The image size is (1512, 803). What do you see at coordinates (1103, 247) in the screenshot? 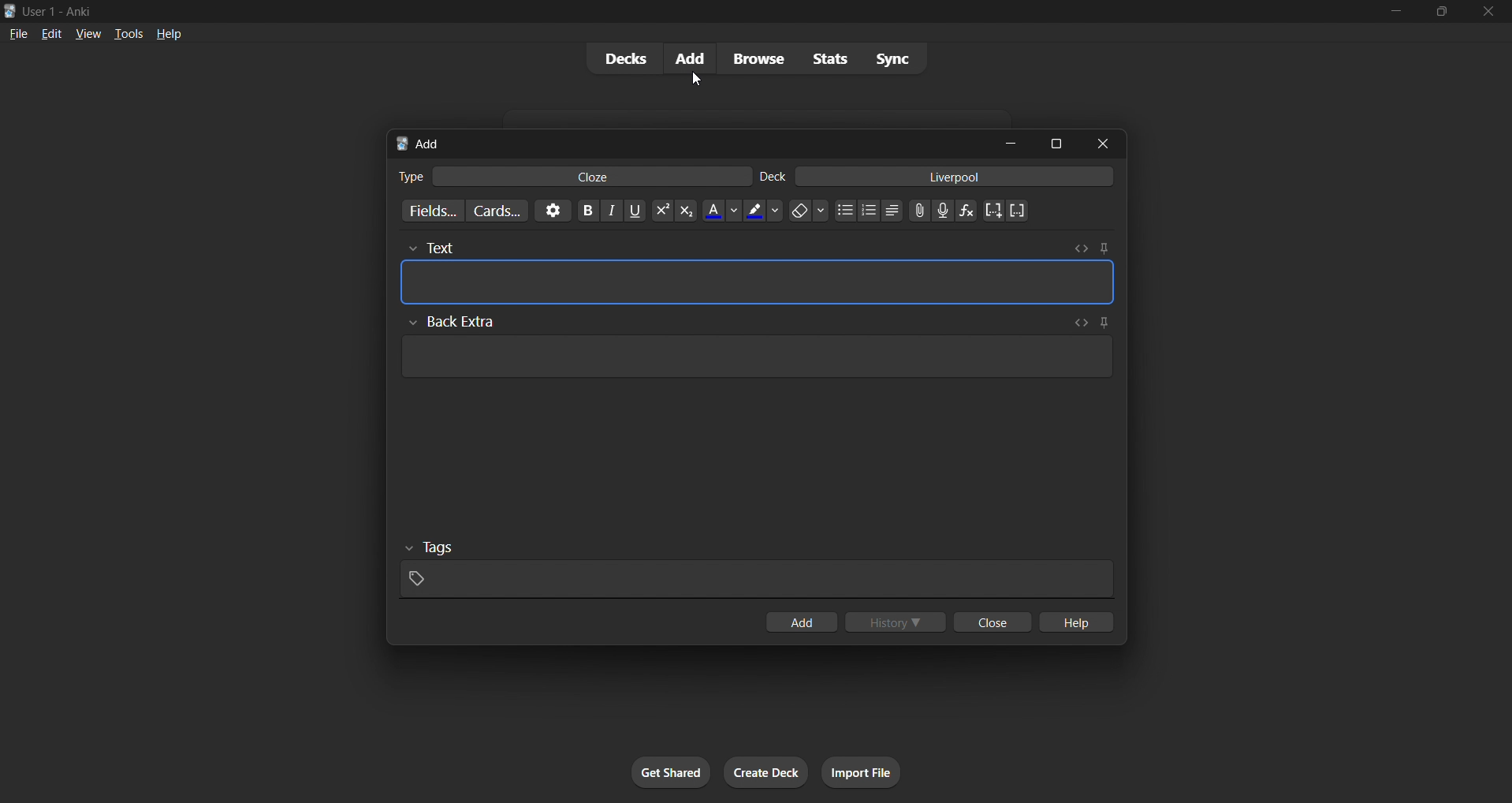
I see `toggle sticky` at bounding box center [1103, 247].